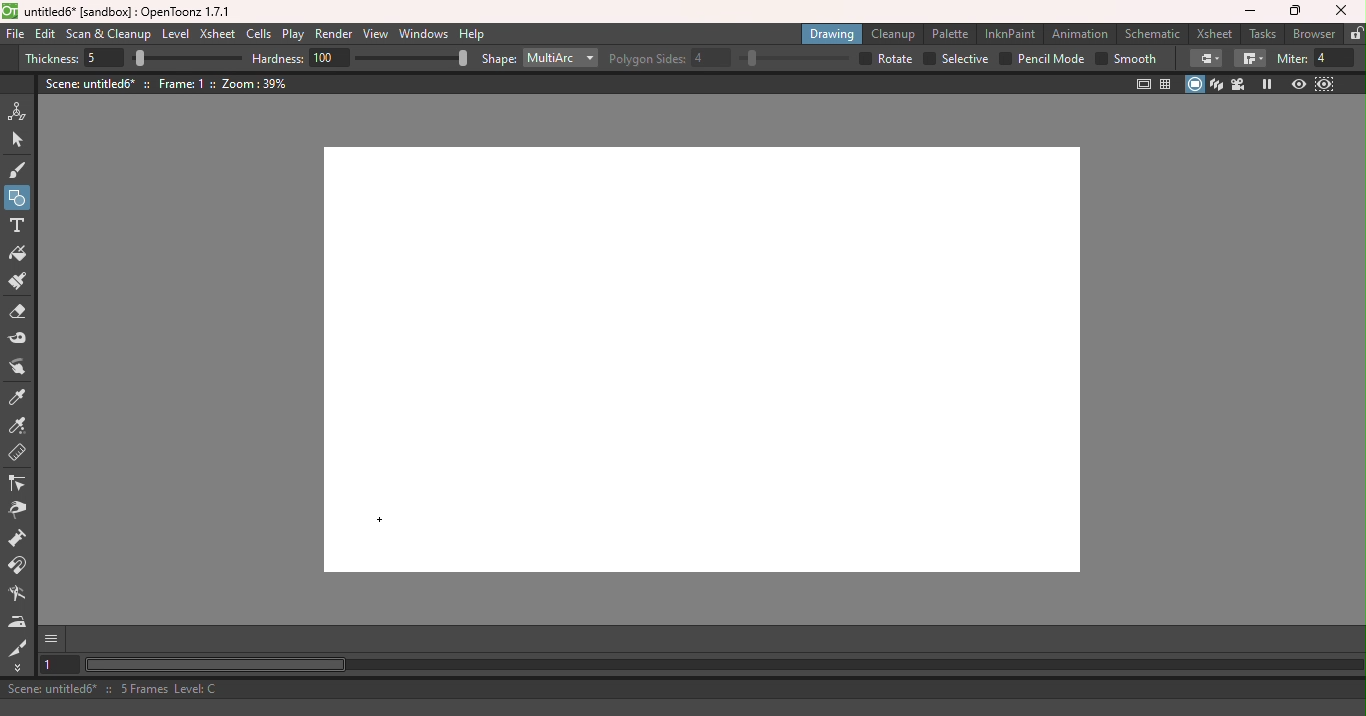  What do you see at coordinates (45, 36) in the screenshot?
I see `Edit` at bounding box center [45, 36].